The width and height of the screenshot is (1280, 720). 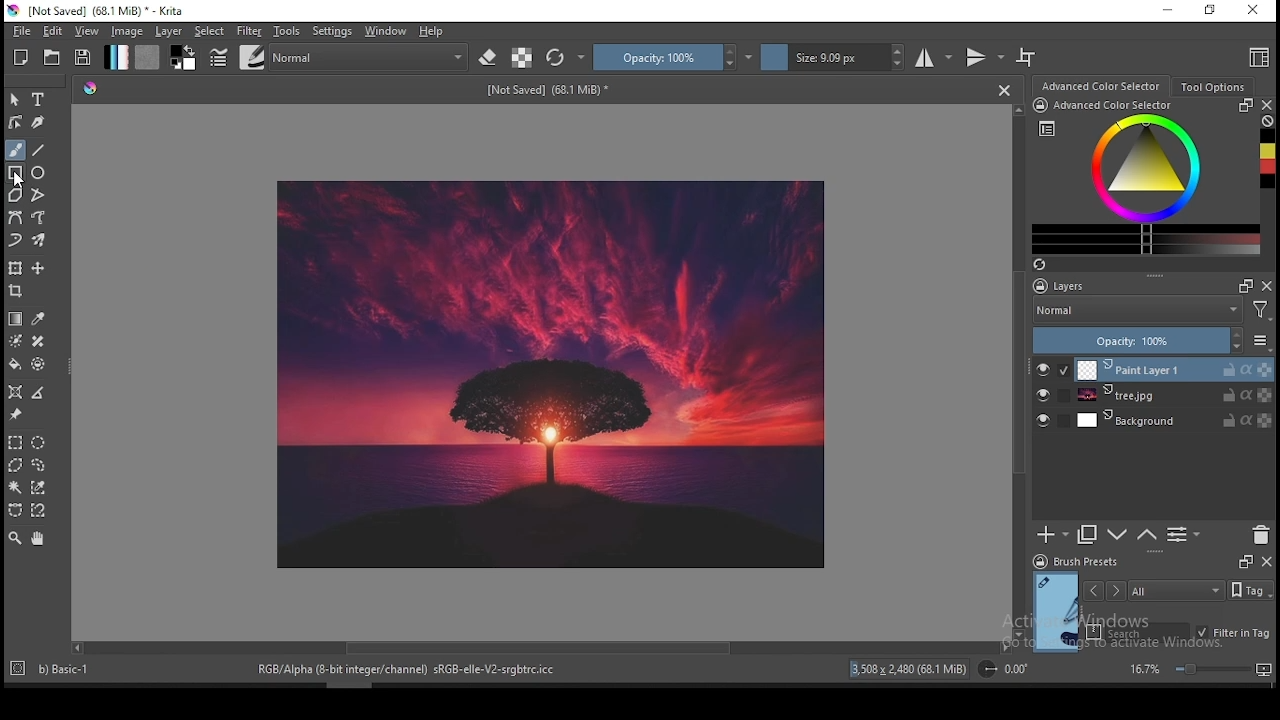 What do you see at coordinates (1209, 11) in the screenshot?
I see `restore` at bounding box center [1209, 11].